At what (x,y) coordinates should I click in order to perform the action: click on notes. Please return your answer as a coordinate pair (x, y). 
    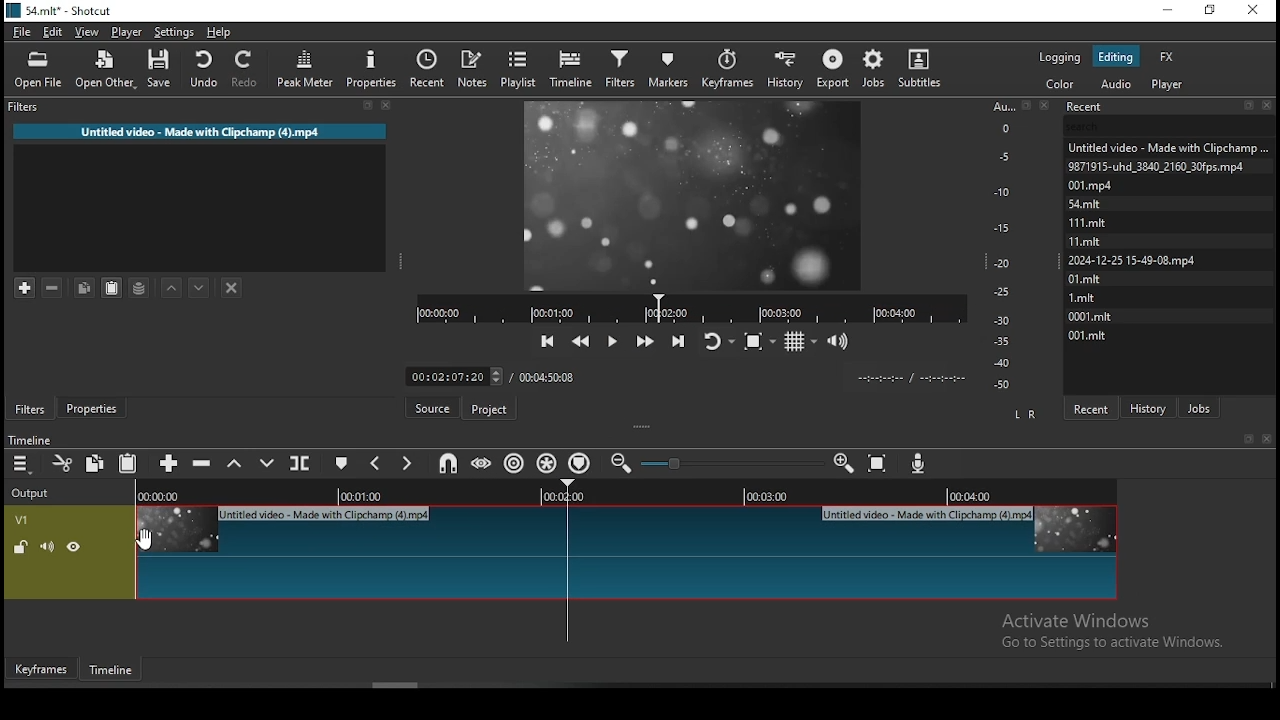
    Looking at the image, I should click on (473, 65).